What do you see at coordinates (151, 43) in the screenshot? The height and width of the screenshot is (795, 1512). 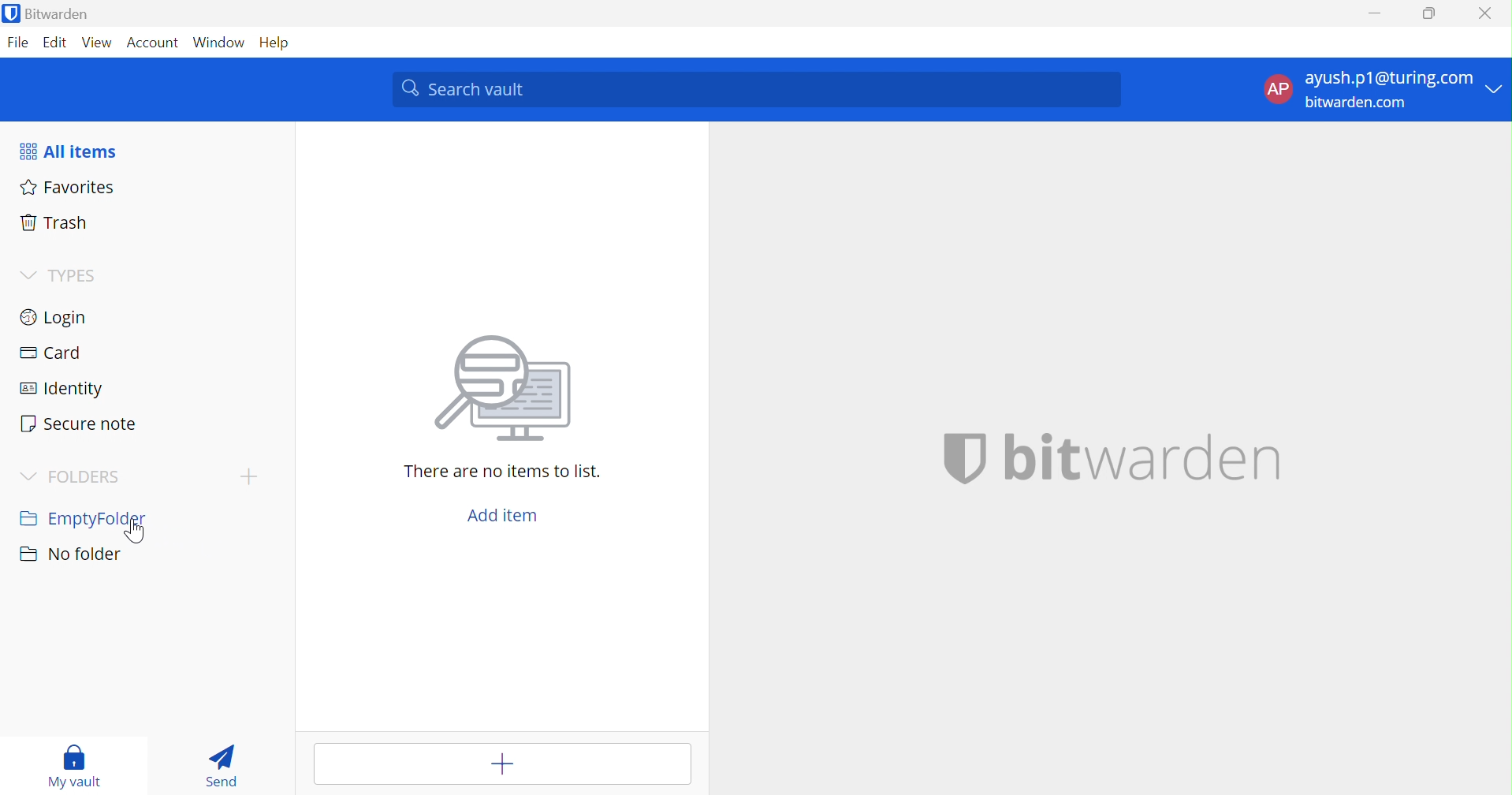 I see `Account` at bounding box center [151, 43].